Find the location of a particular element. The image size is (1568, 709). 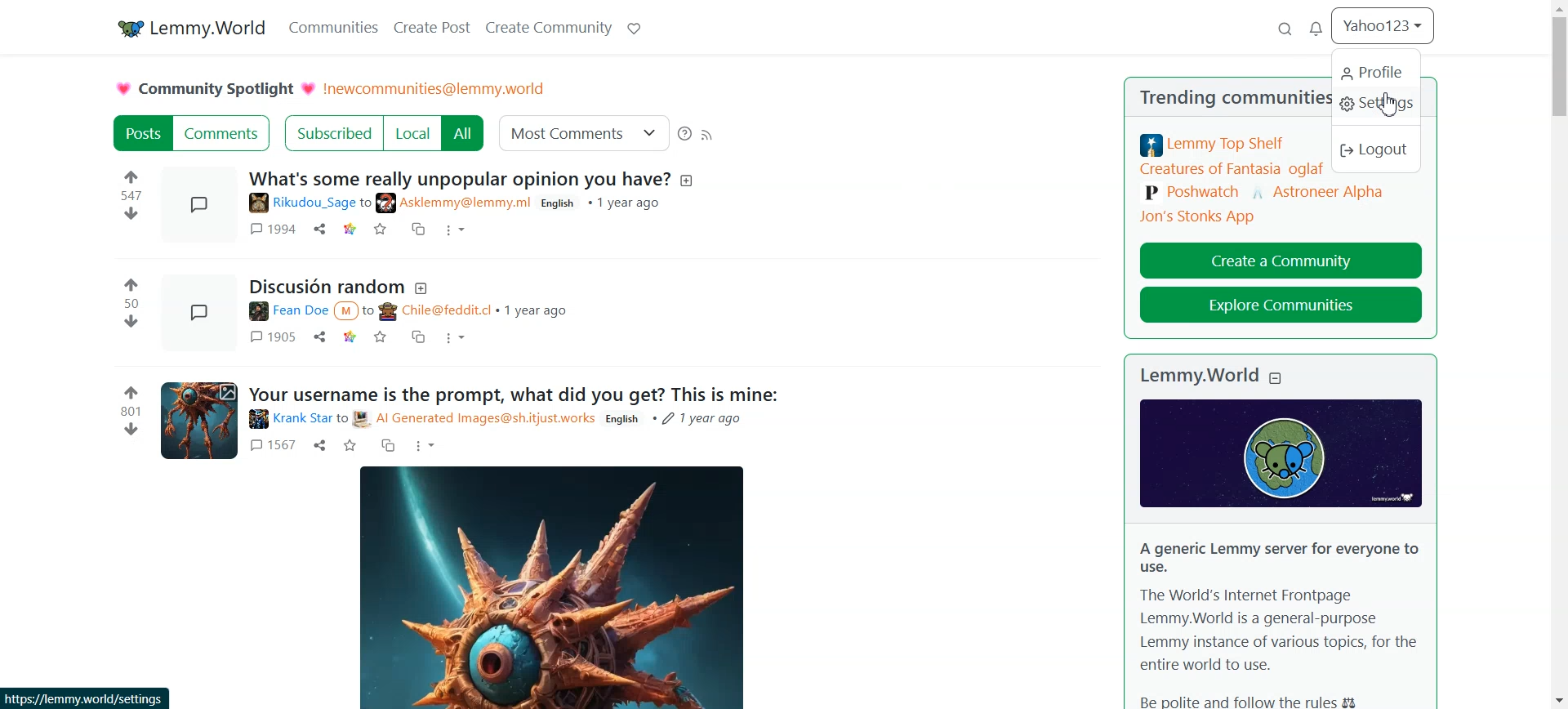

Rikudou sage is located at coordinates (301, 203).